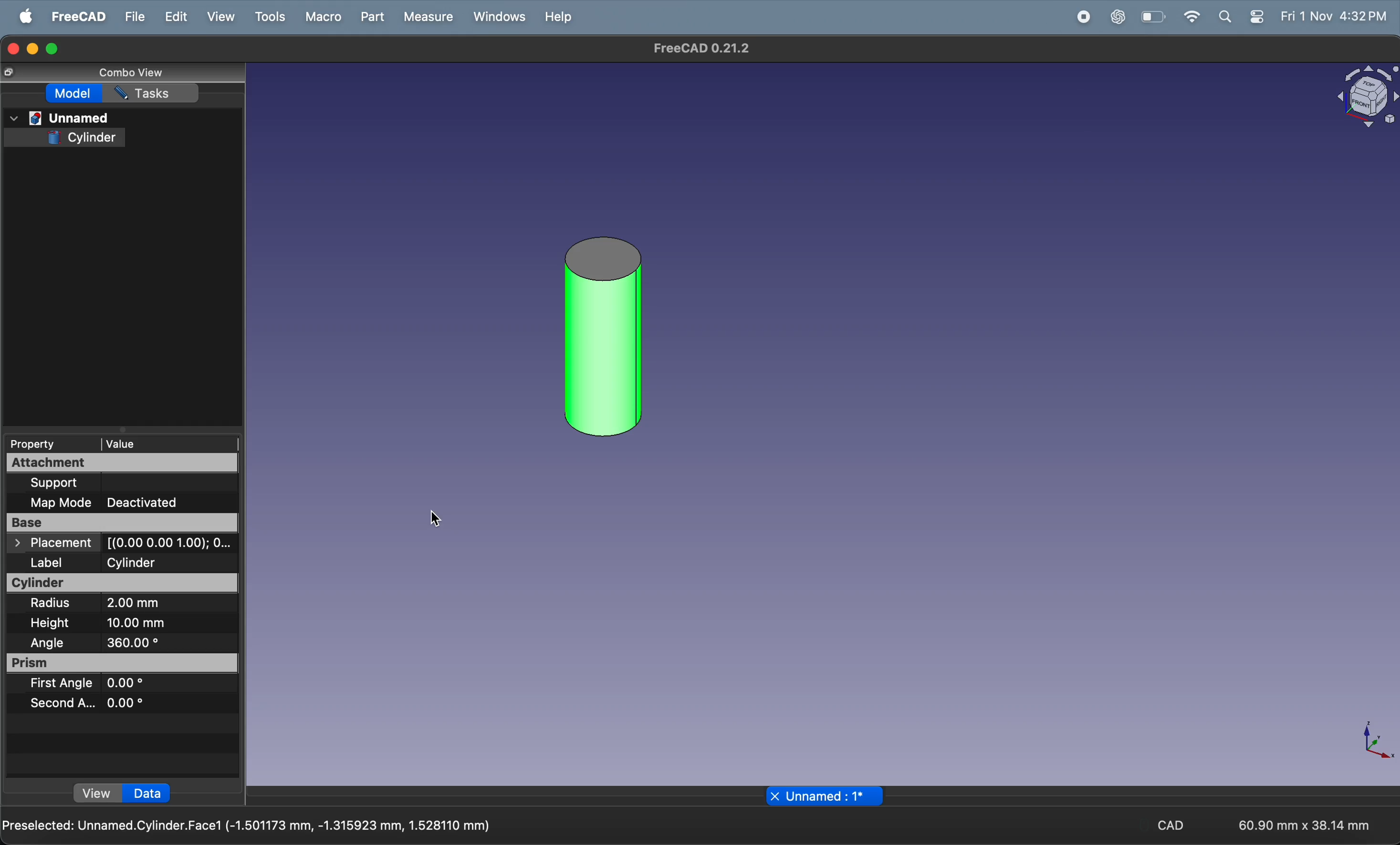  Describe the element at coordinates (834, 796) in the screenshot. I see `unnamed : 1*` at that location.